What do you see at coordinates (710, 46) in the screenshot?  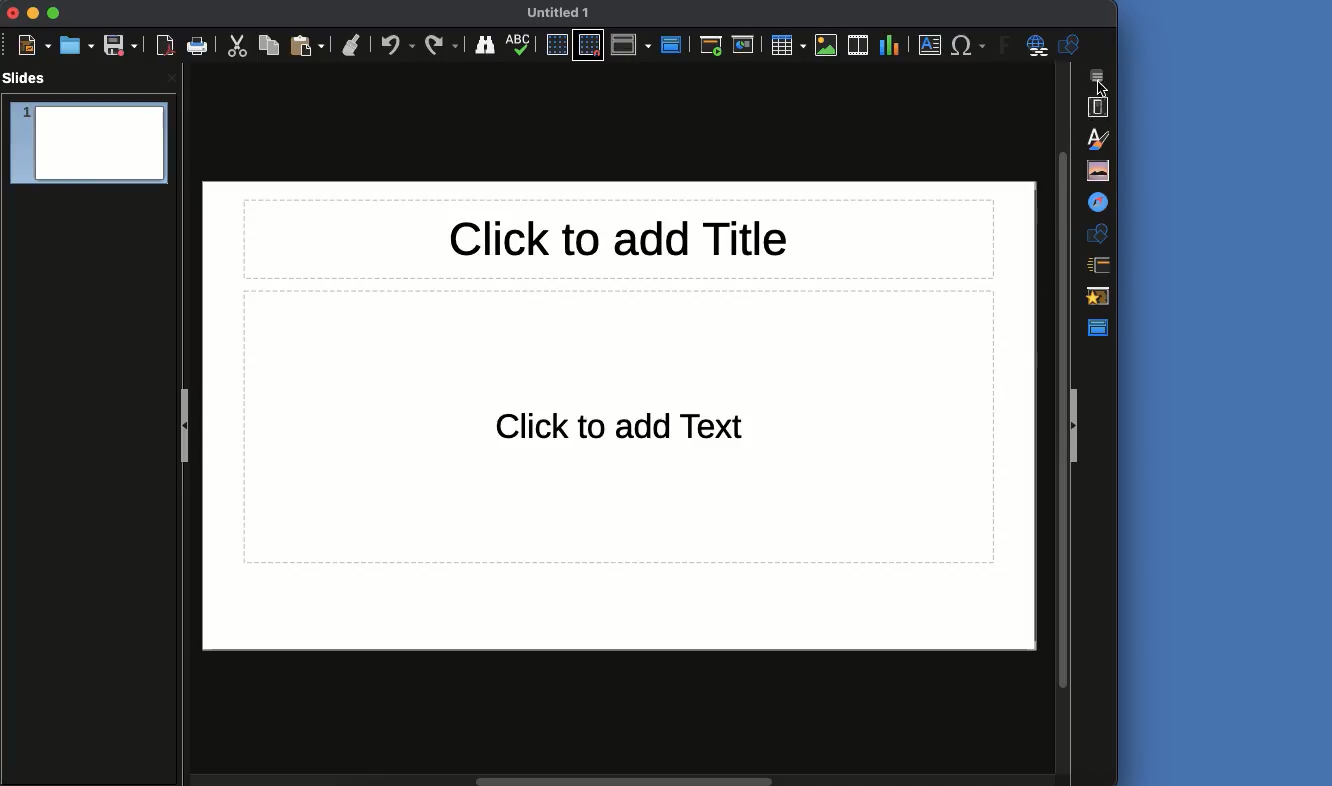 I see `Start from first slide` at bounding box center [710, 46].